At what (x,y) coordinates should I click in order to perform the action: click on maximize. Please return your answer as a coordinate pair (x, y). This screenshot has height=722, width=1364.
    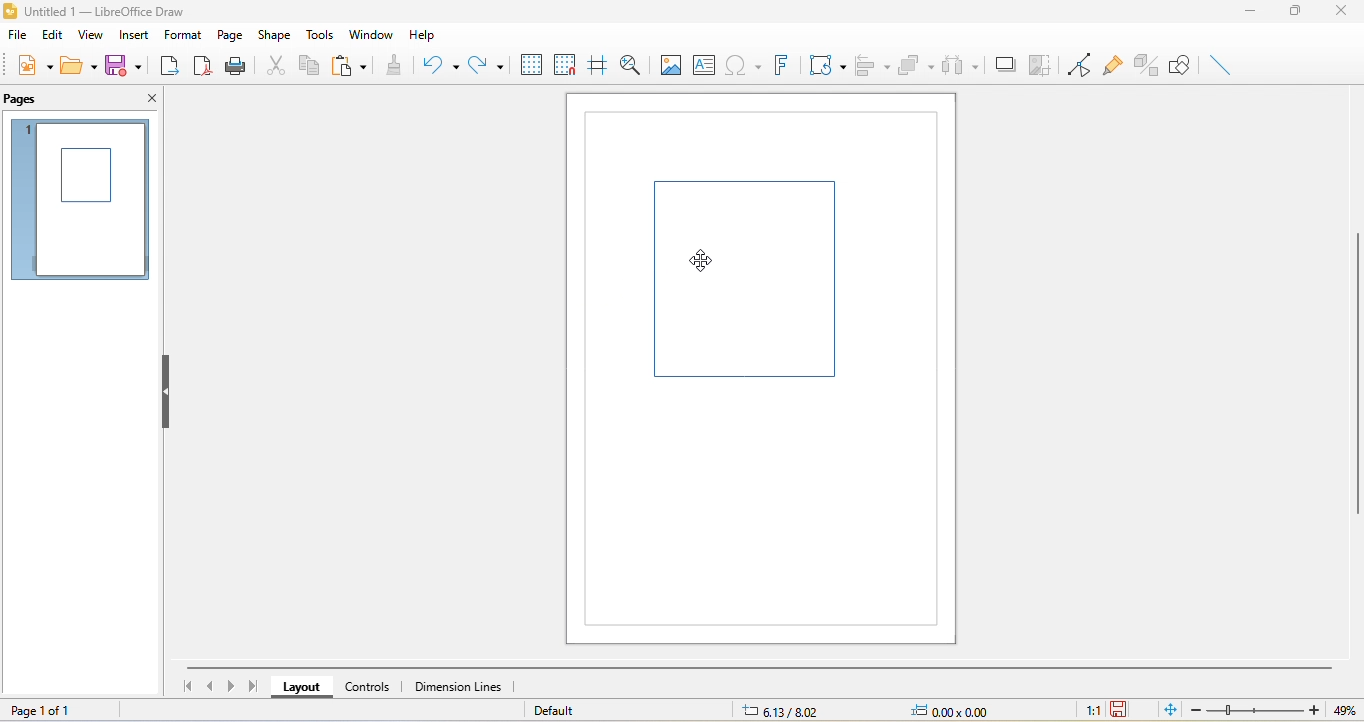
    Looking at the image, I should click on (1295, 13).